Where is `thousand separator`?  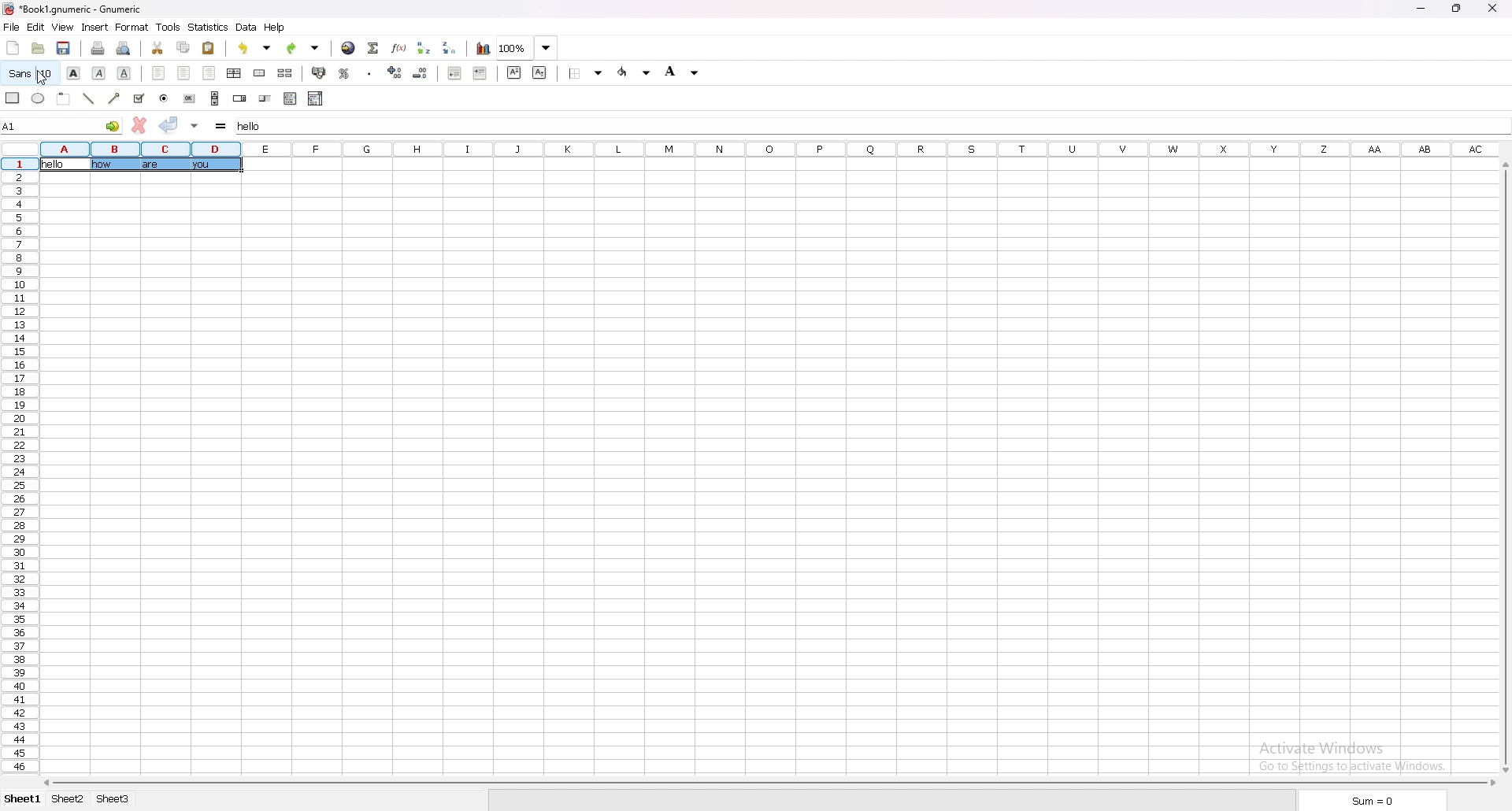
thousand separator is located at coordinates (369, 72).